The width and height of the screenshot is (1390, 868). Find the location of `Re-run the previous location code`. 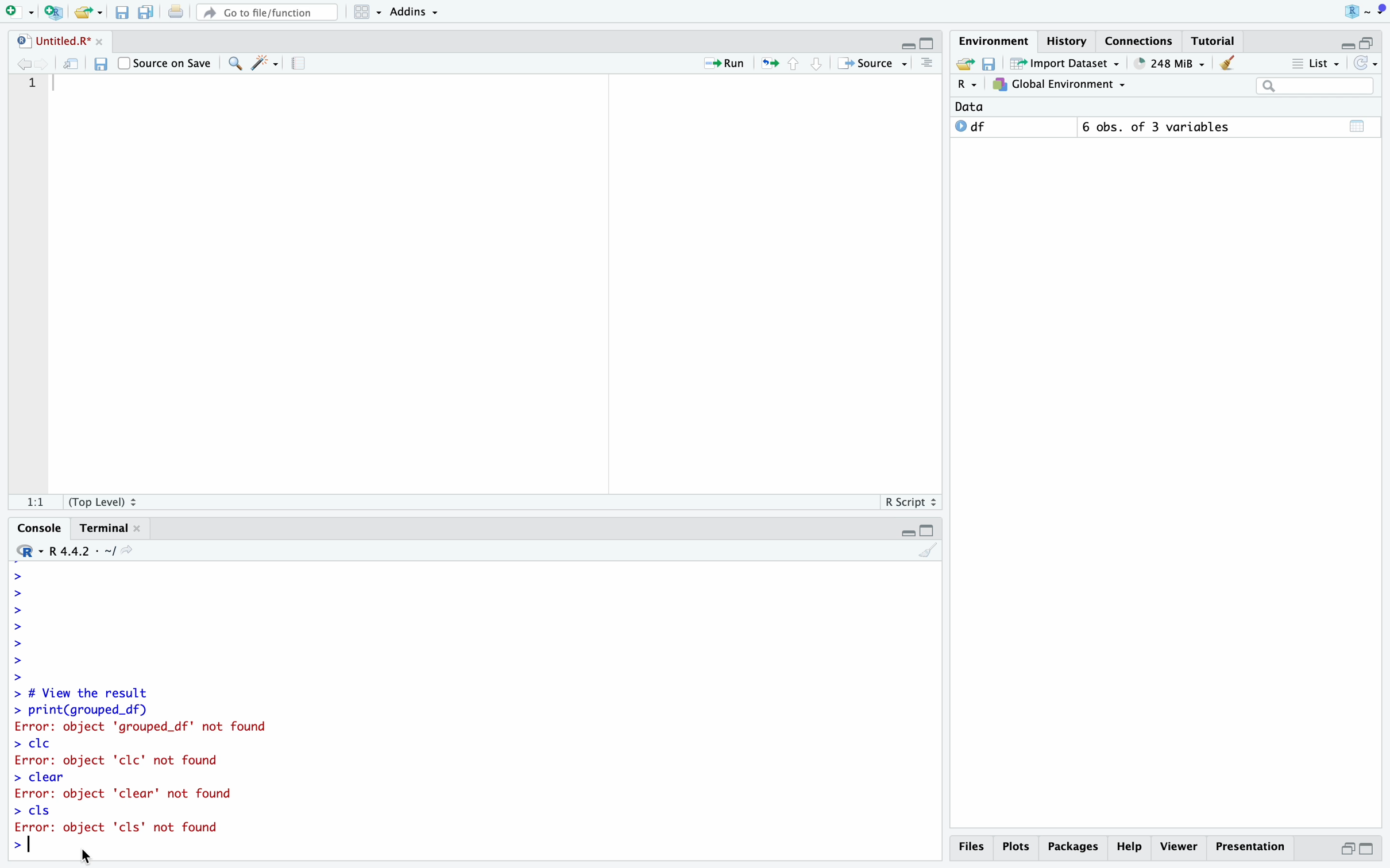

Re-run the previous location code is located at coordinates (769, 63).